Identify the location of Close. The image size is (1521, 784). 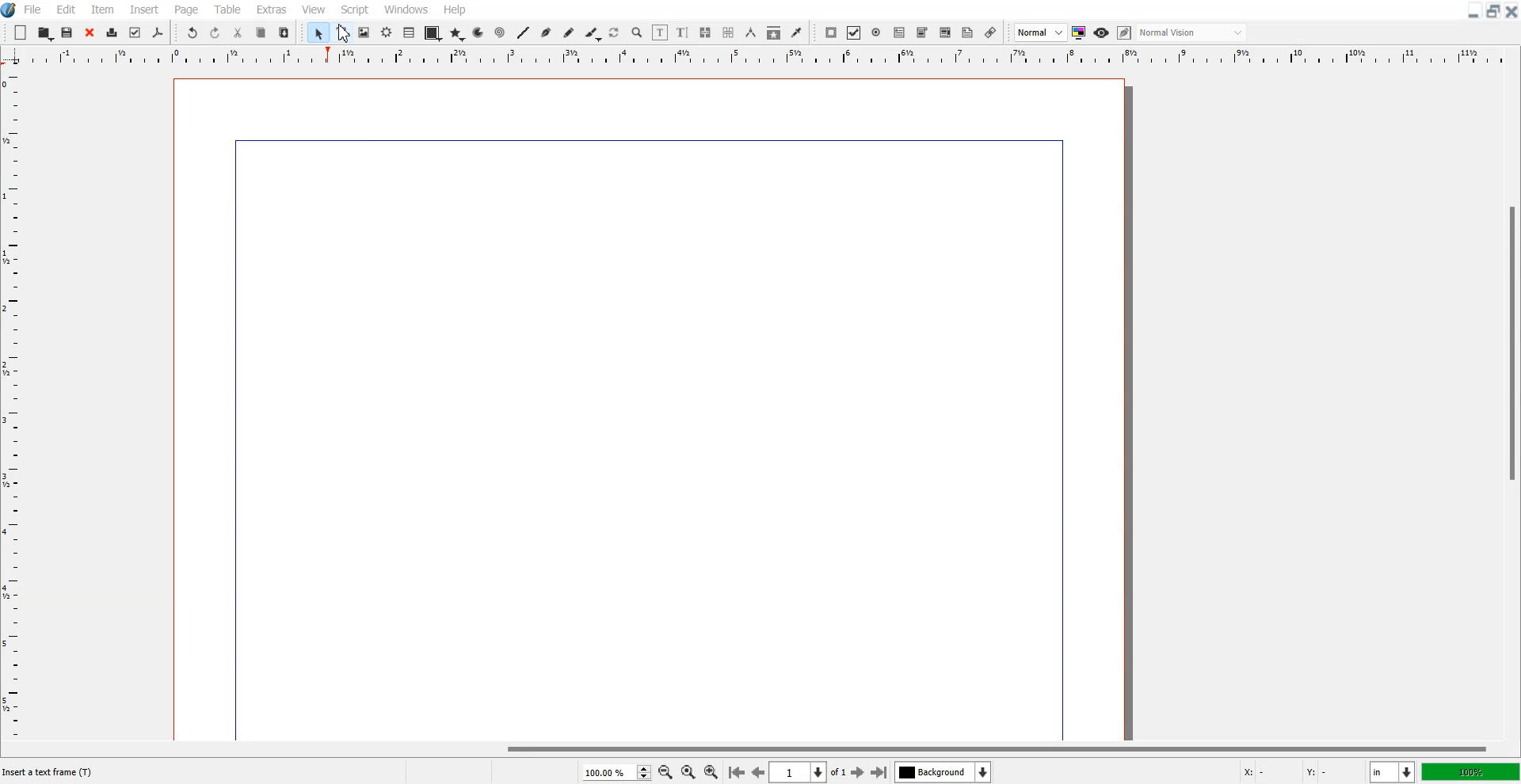
(1511, 10).